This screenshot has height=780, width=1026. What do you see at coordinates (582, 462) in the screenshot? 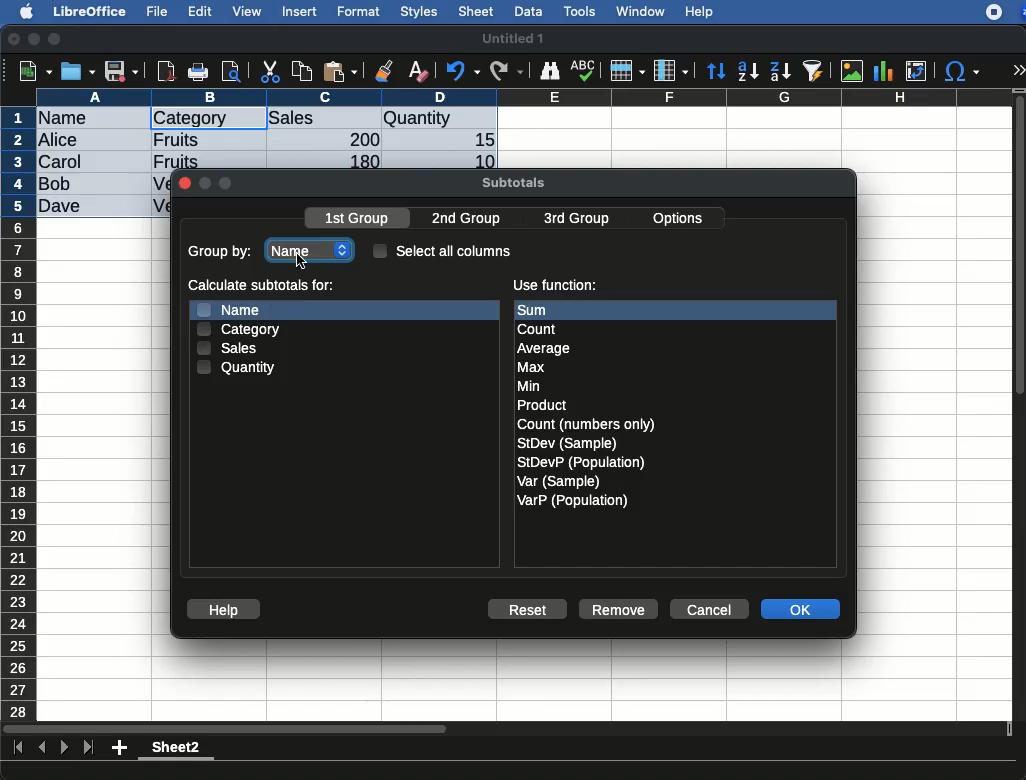
I see `SitDevP (Population)` at bounding box center [582, 462].